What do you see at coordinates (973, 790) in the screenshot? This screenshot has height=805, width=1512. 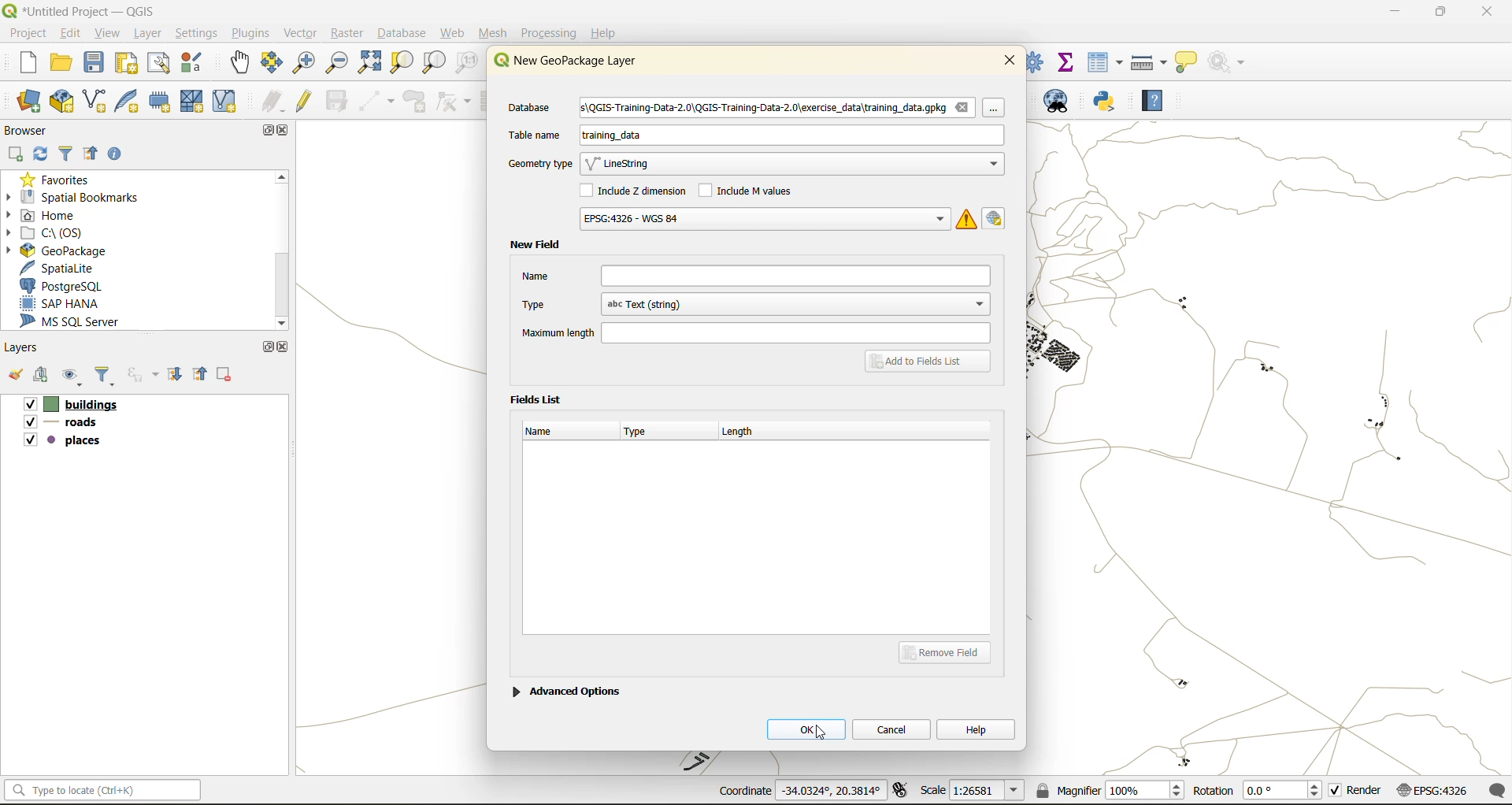 I see `scale(1:26581)` at bounding box center [973, 790].